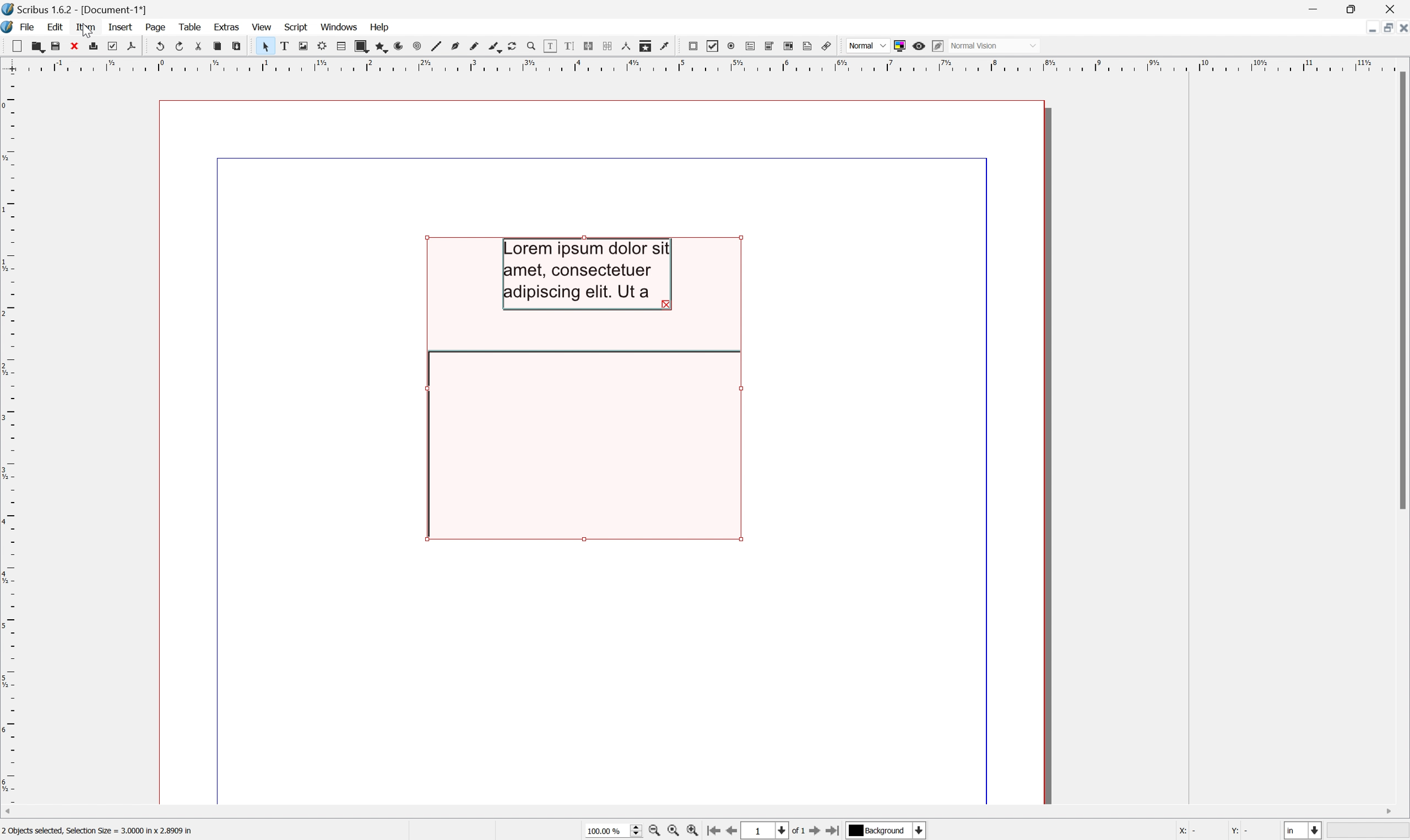 Image resolution: width=1410 pixels, height=840 pixels. What do you see at coordinates (417, 46) in the screenshot?
I see `Spiral` at bounding box center [417, 46].